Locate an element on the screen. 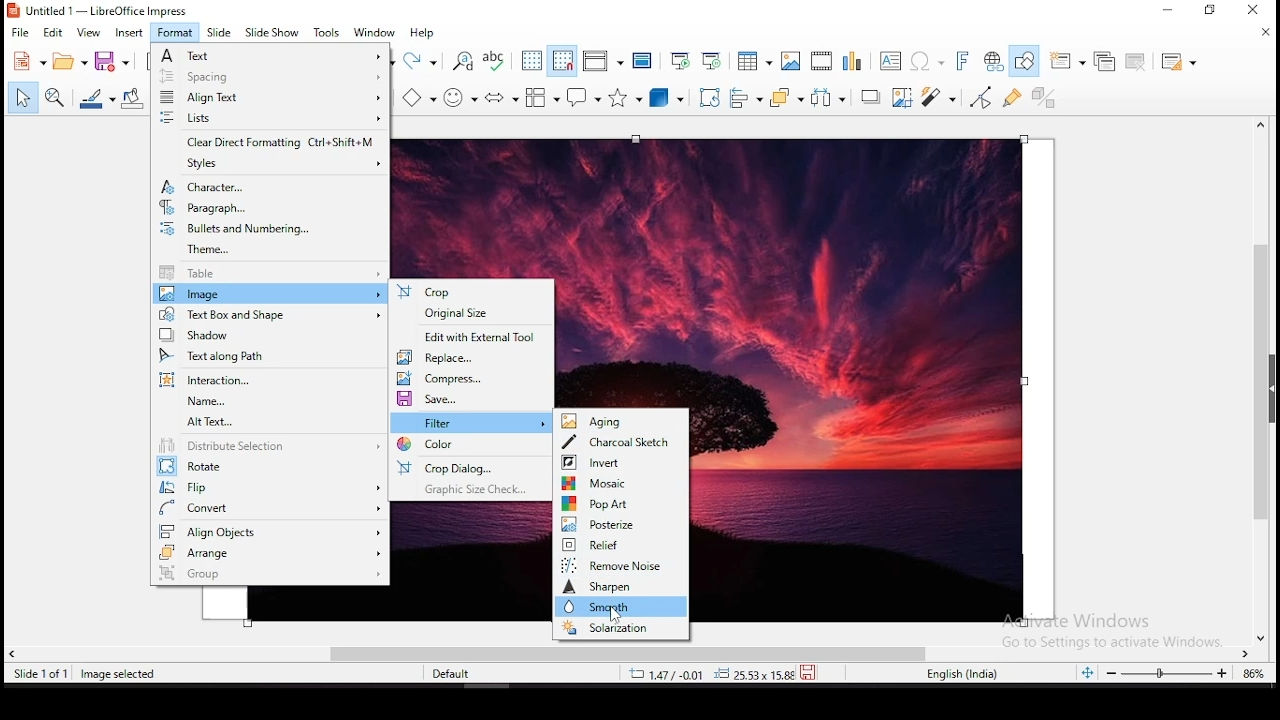 Image resolution: width=1280 pixels, height=720 pixels. open is located at coordinates (68, 62).